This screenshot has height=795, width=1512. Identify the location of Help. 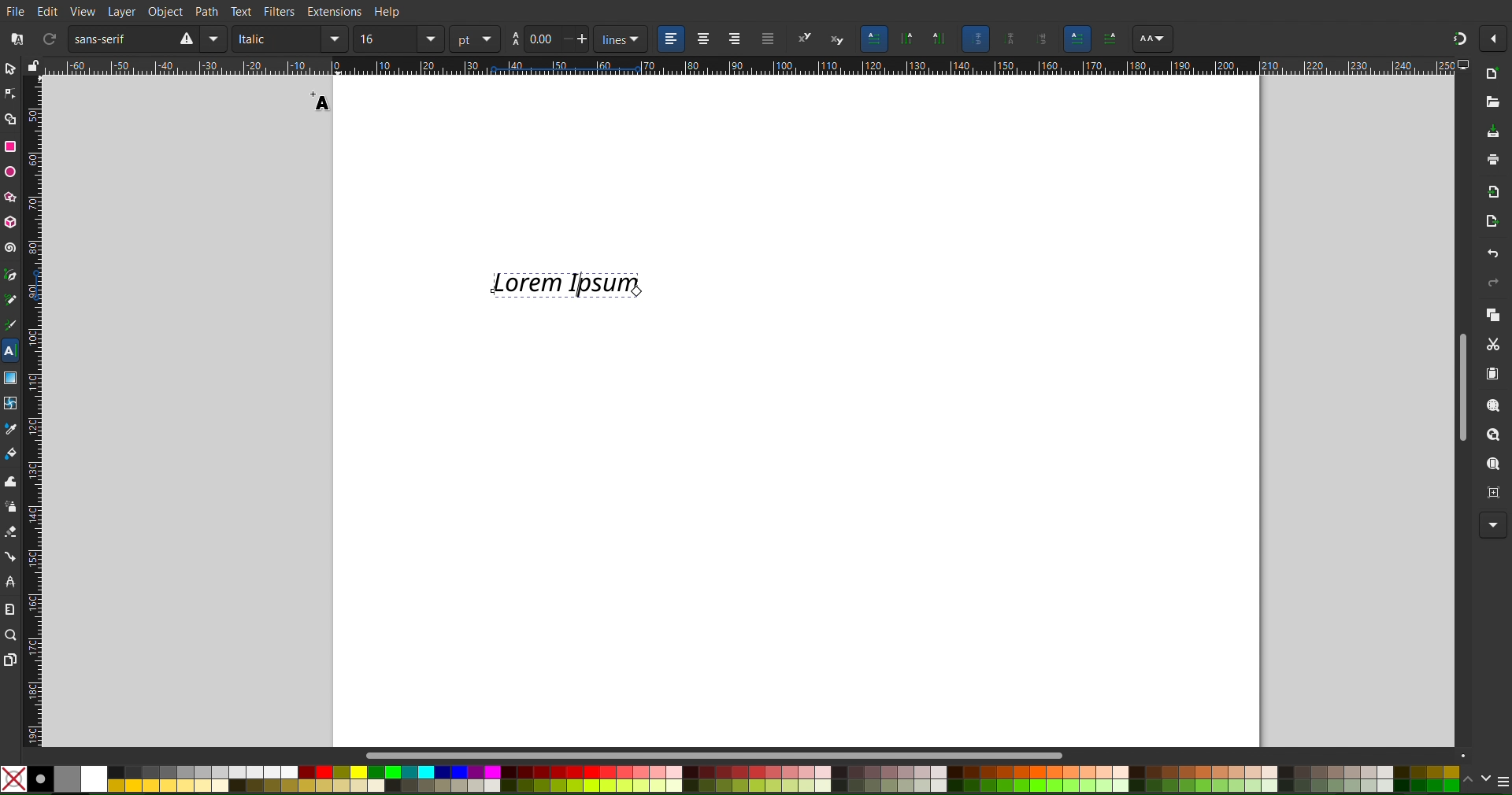
(387, 11).